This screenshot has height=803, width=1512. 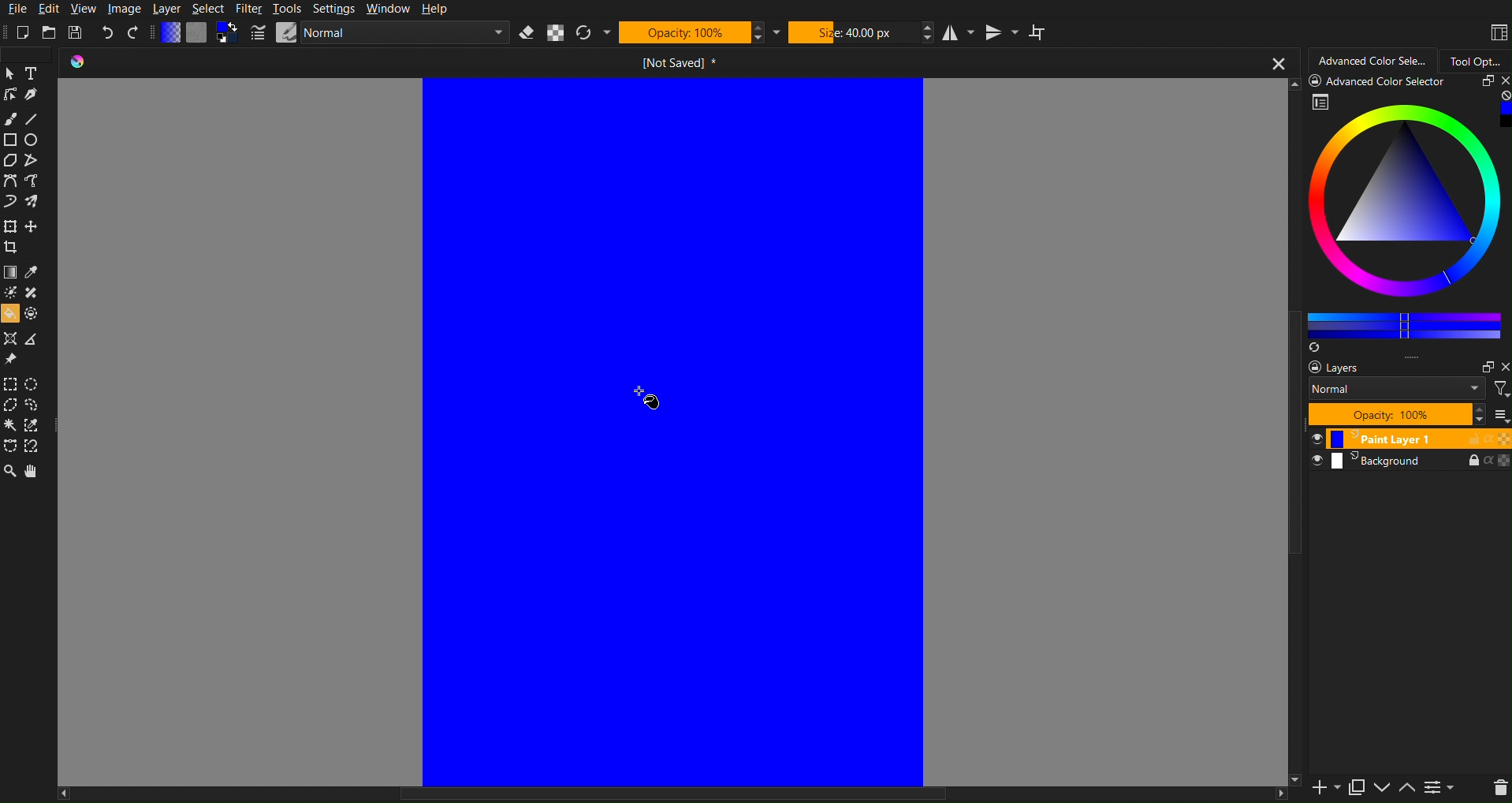 What do you see at coordinates (527, 33) in the screenshot?
I see `Erase` at bounding box center [527, 33].